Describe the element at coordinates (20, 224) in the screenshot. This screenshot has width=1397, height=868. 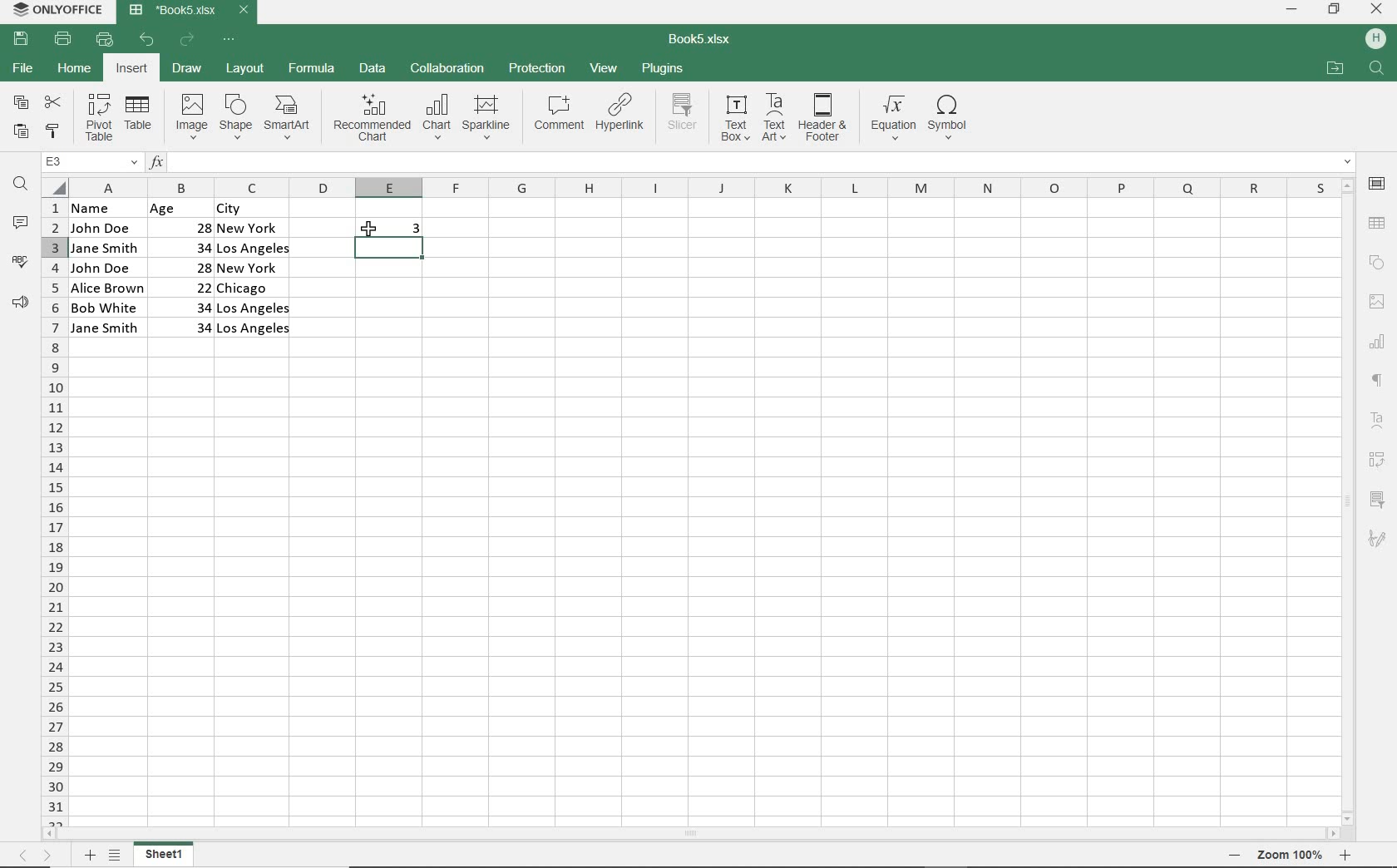
I see `COMMENTS` at that location.